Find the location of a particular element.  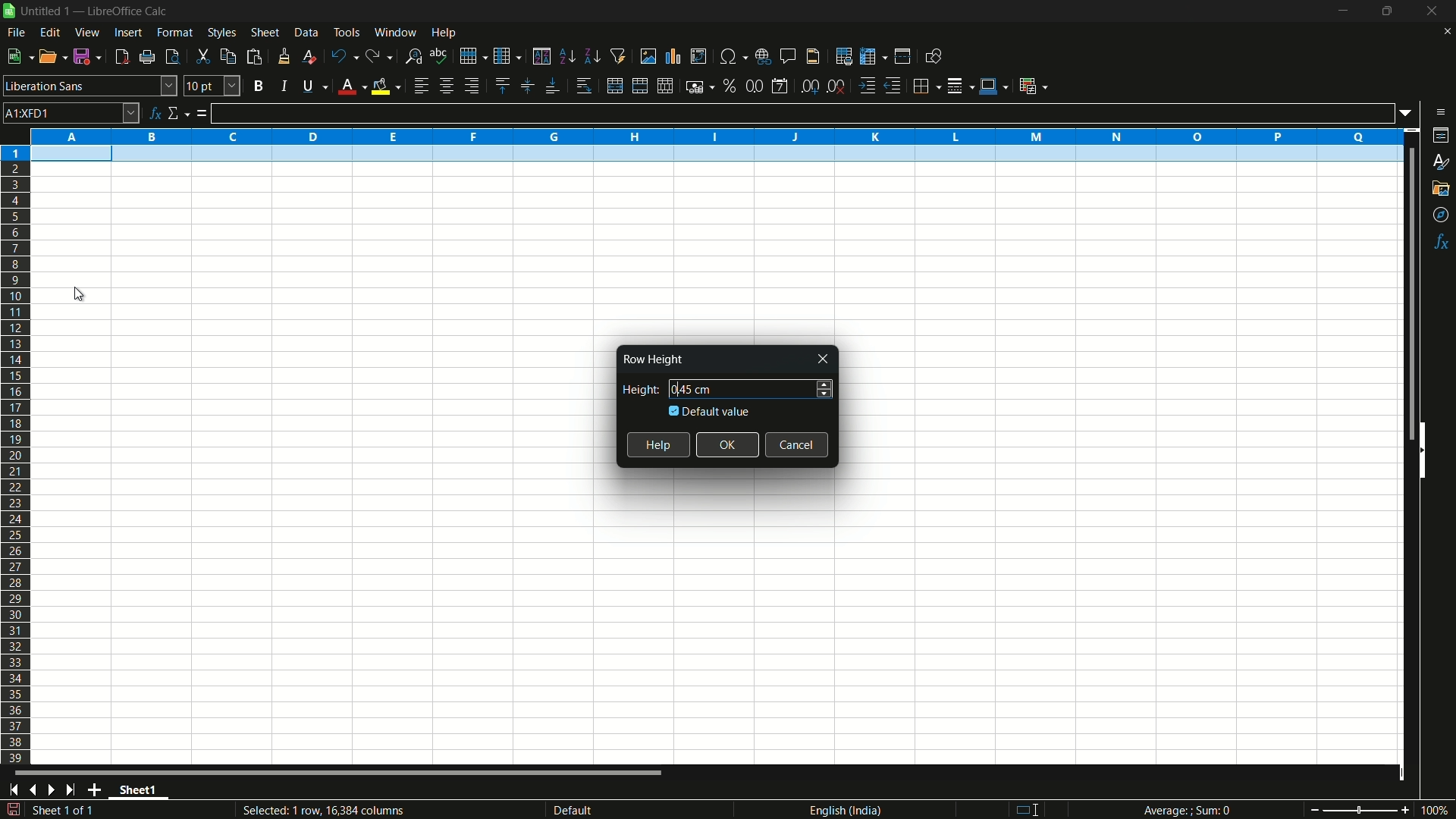

insert menu is located at coordinates (127, 33).